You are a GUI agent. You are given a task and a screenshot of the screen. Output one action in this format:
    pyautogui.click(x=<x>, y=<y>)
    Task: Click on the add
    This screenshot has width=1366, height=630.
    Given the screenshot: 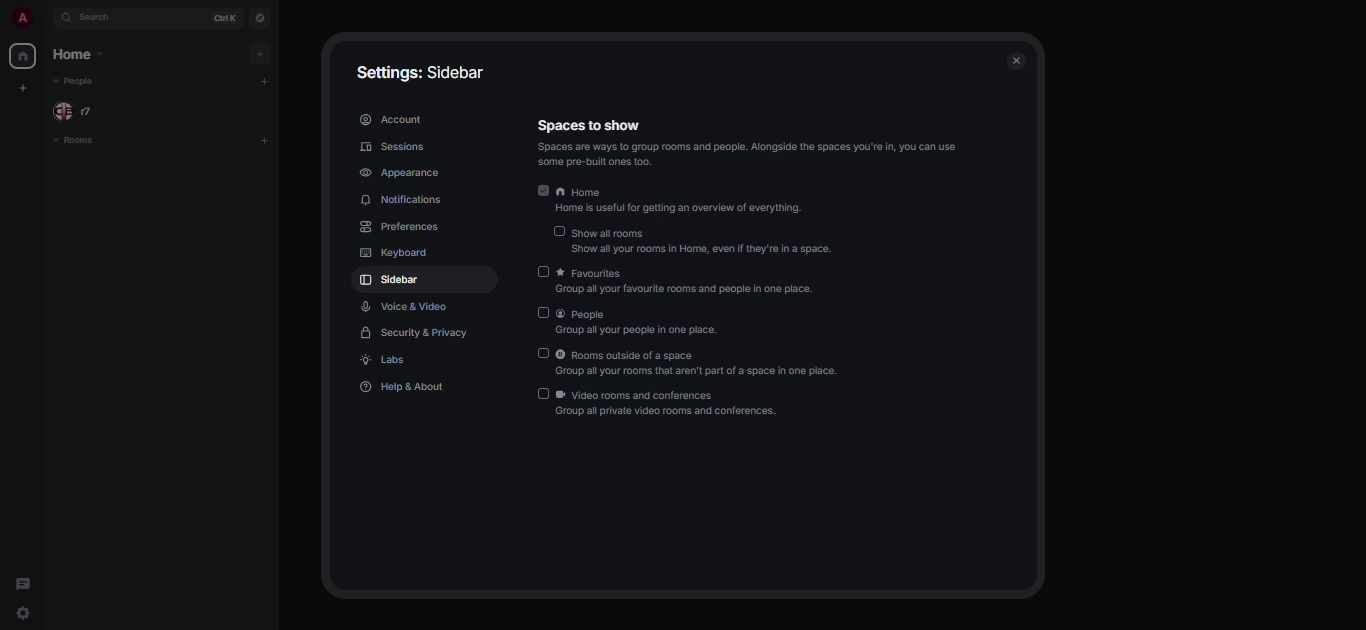 What is the action you would take?
    pyautogui.click(x=256, y=54)
    